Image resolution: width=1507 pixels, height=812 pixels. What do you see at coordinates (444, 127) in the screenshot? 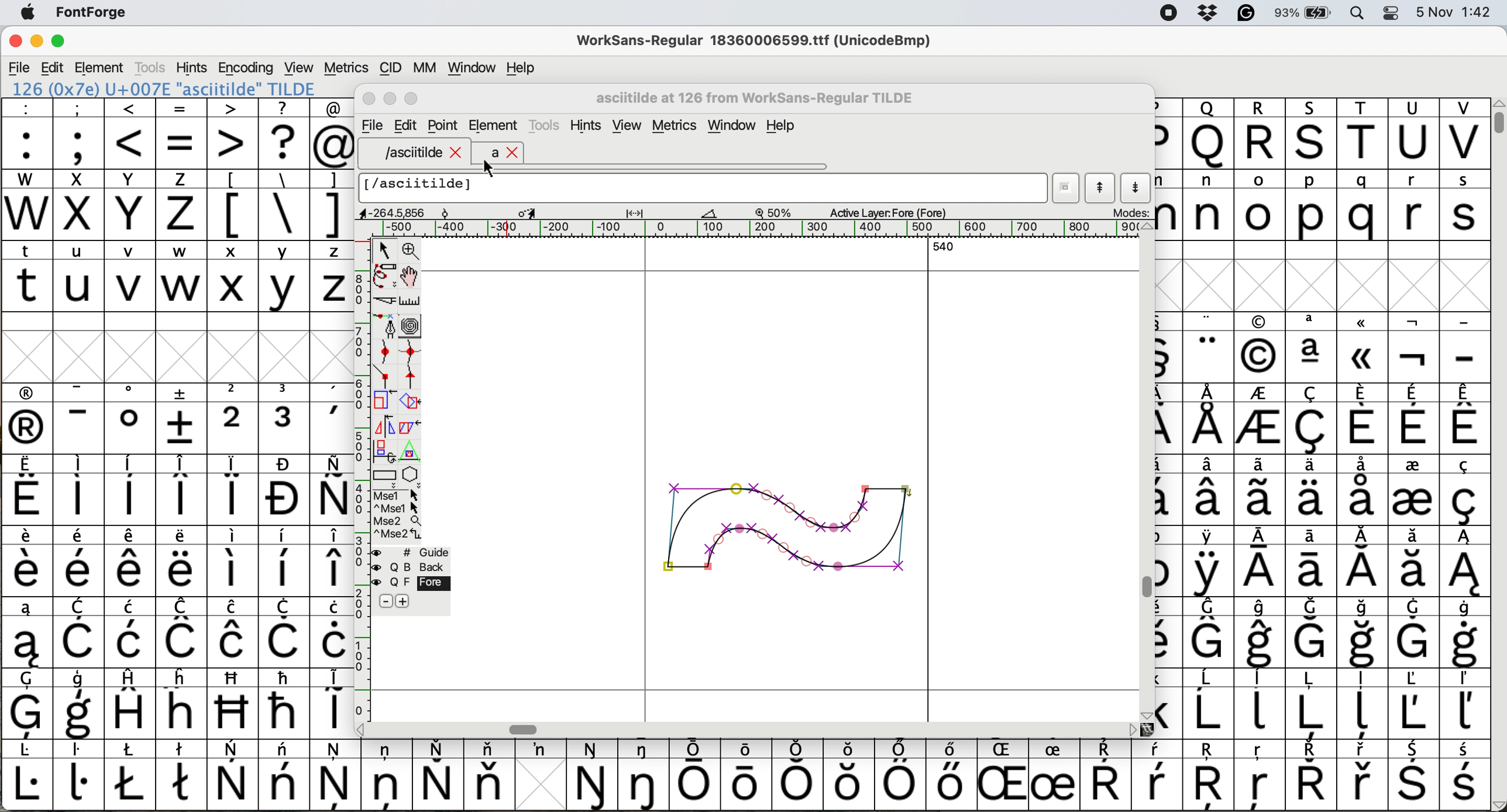
I see `Point` at bounding box center [444, 127].